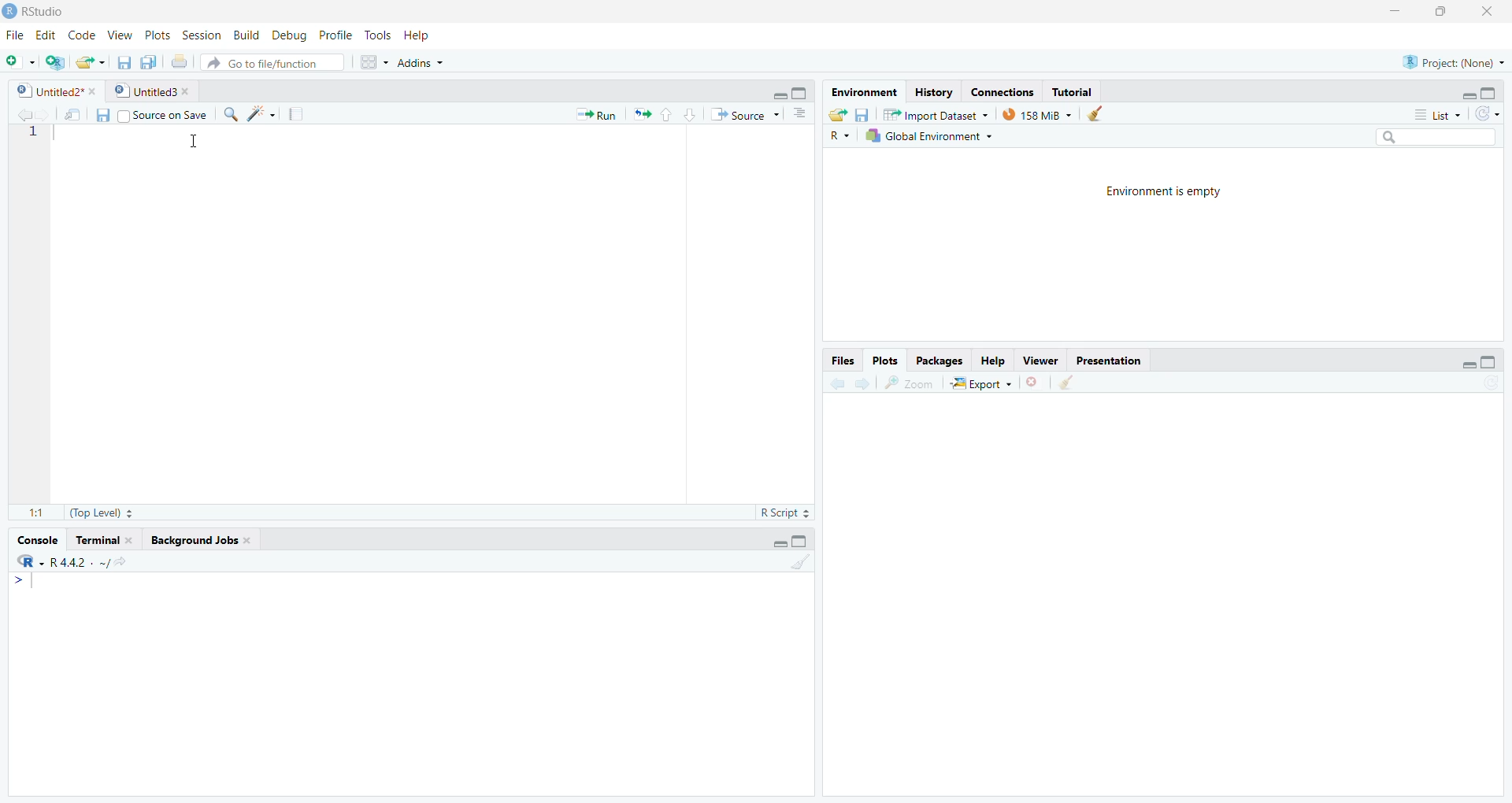 The image size is (1512, 803). I want to click on minimize, so click(1392, 12).